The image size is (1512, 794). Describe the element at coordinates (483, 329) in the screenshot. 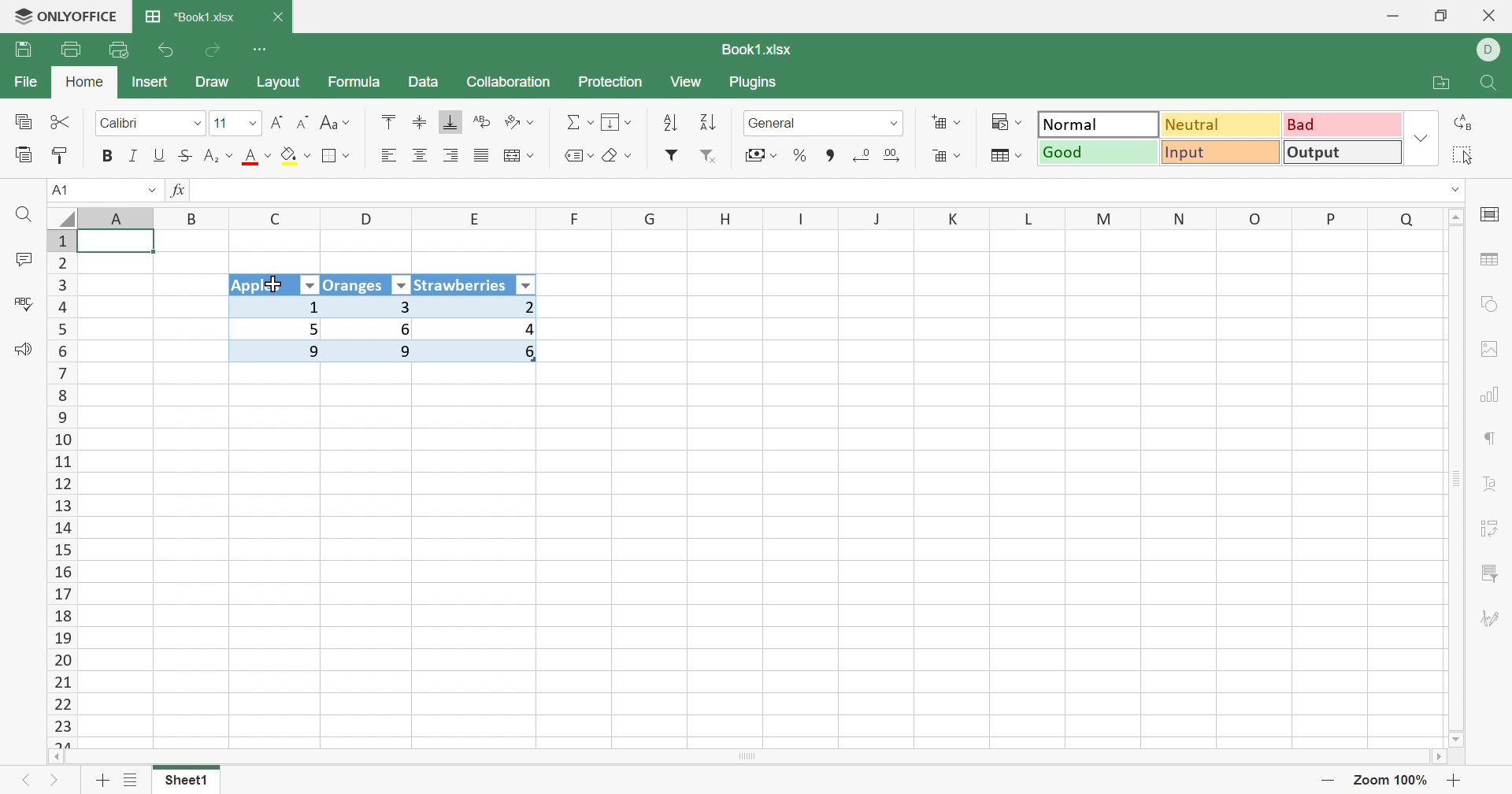

I see `4` at that location.